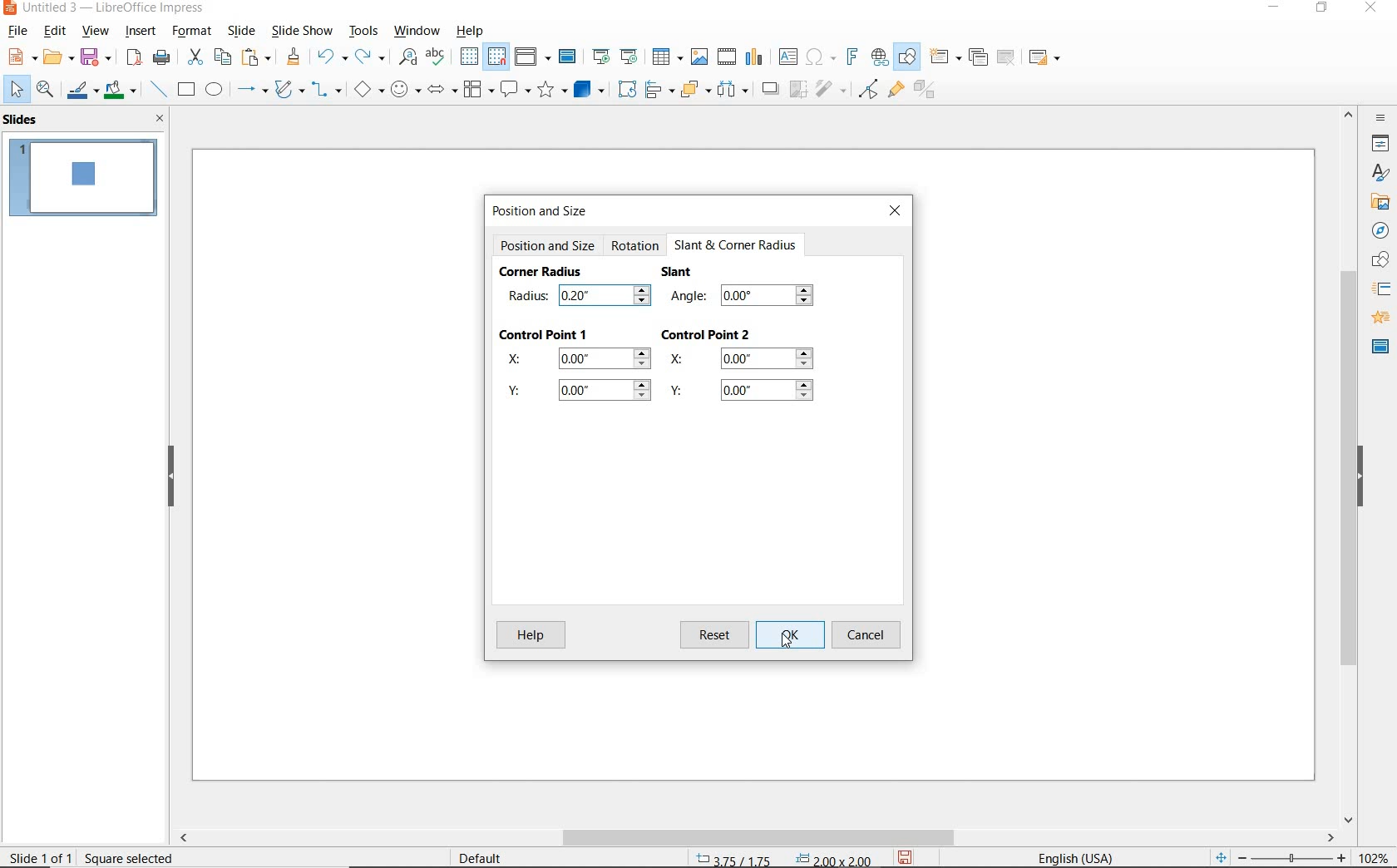 Image resolution: width=1397 pixels, height=868 pixels. I want to click on save, so click(905, 858).